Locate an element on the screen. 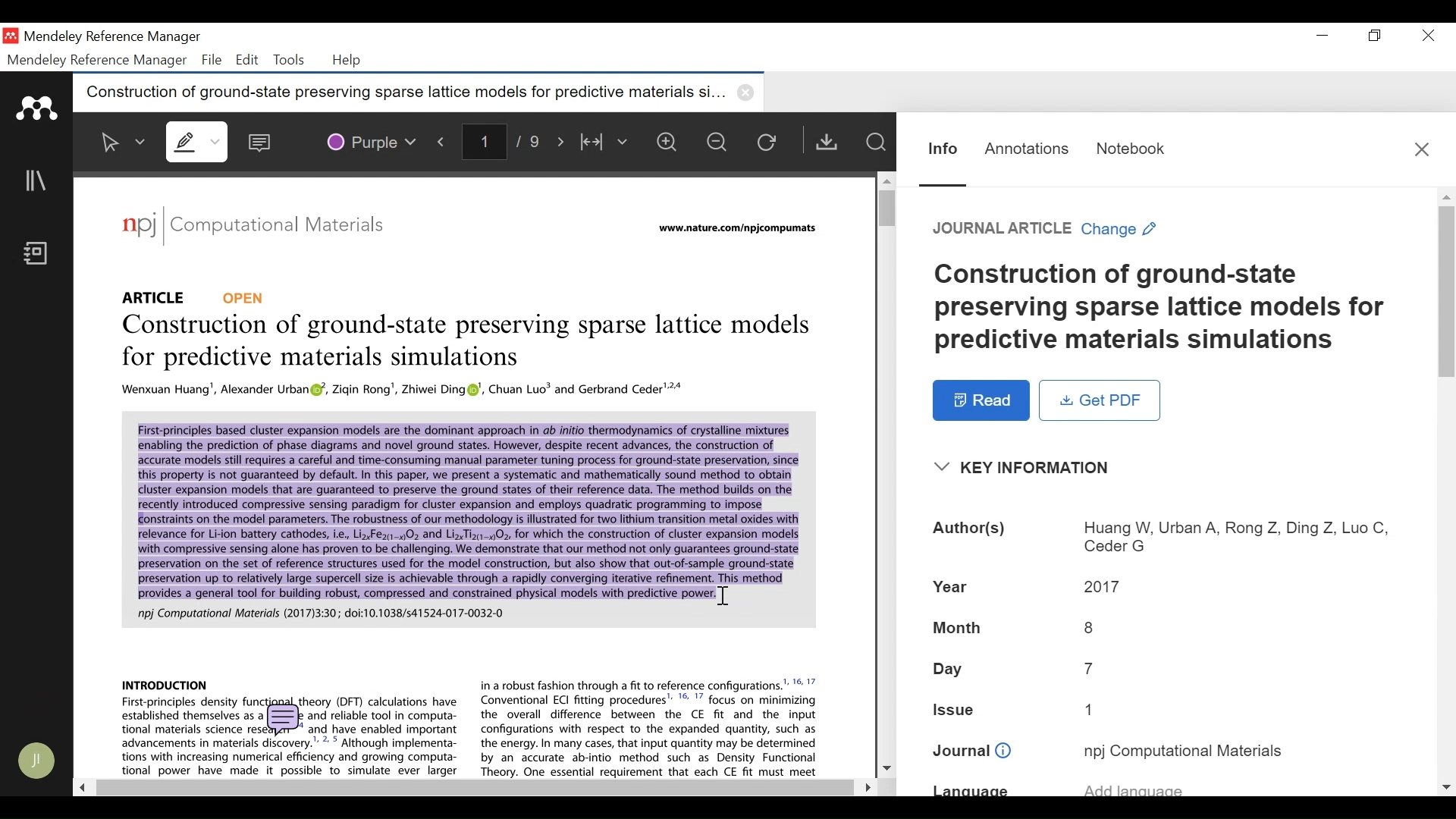 This screenshot has height=819, width=1456. Find in Files is located at coordinates (875, 142).